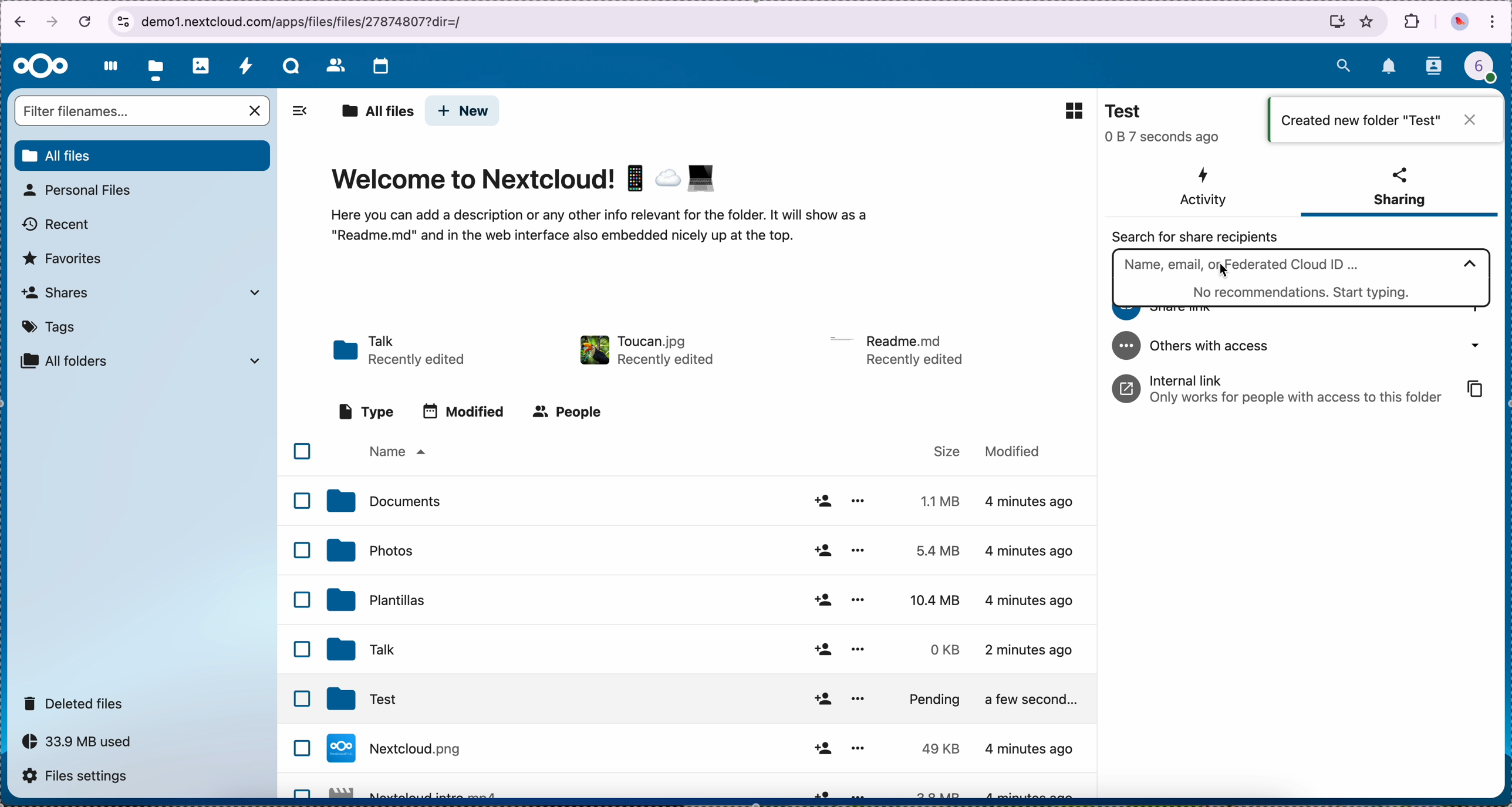 The image size is (1512, 807). What do you see at coordinates (526, 181) in the screenshot?
I see `Welcome to Nextcloud` at bounding box center [526, 181].